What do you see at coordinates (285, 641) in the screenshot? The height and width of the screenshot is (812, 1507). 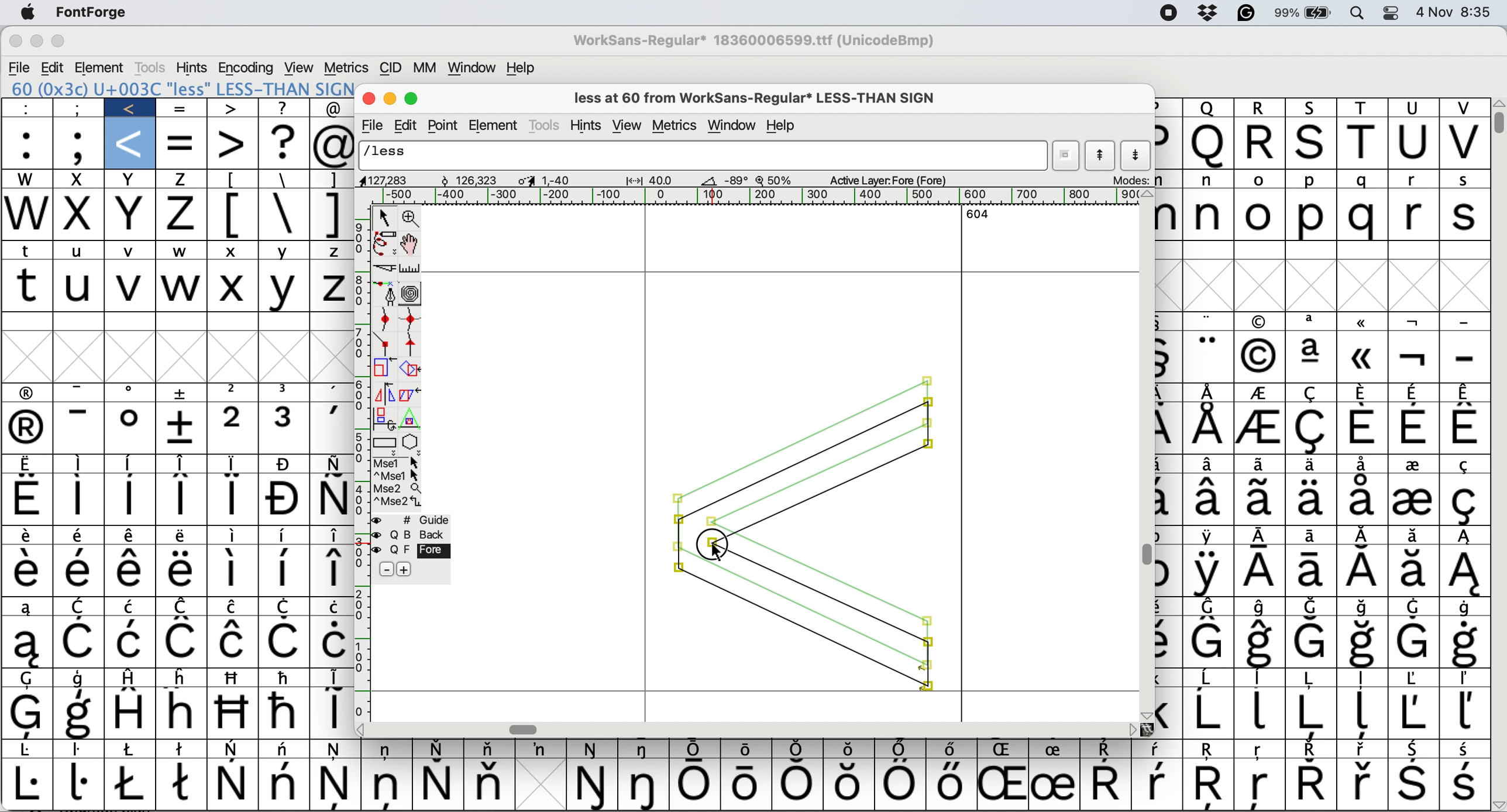 I see `Symbol` at bounding box center [285, 641].